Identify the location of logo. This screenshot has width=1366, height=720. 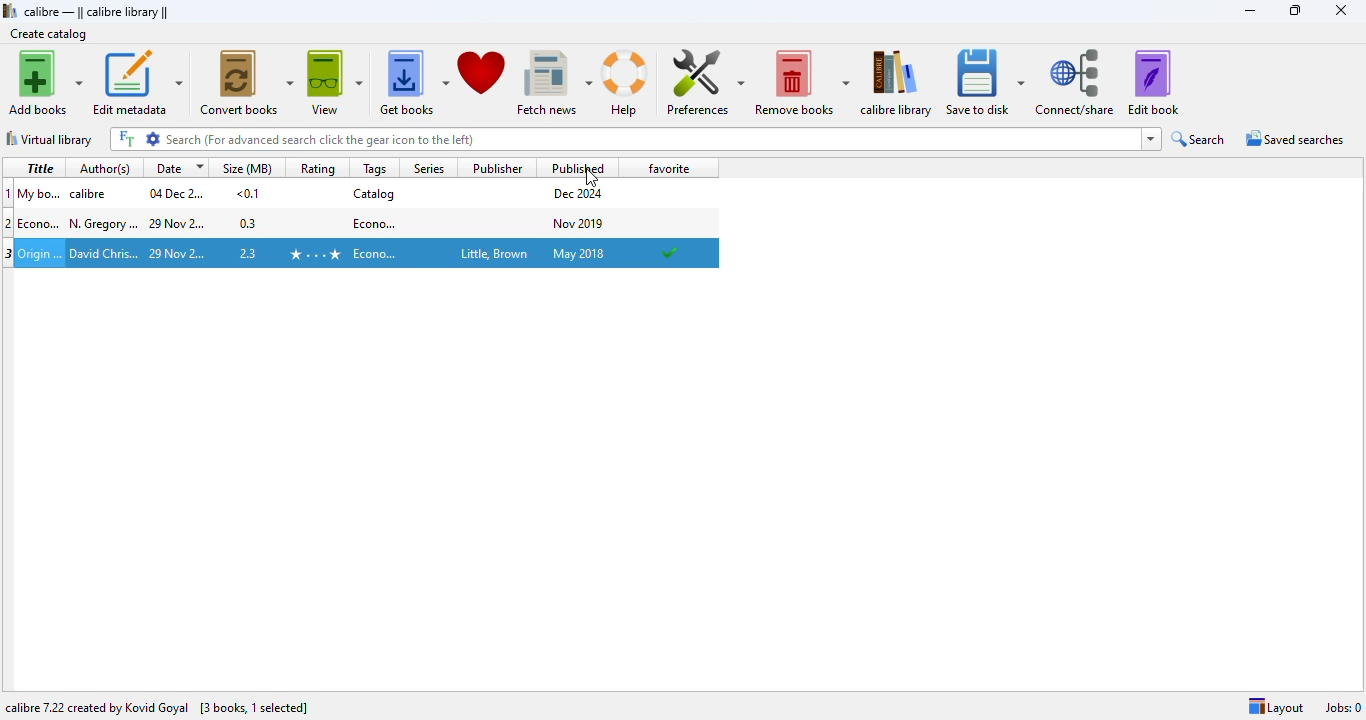
(10, 10).